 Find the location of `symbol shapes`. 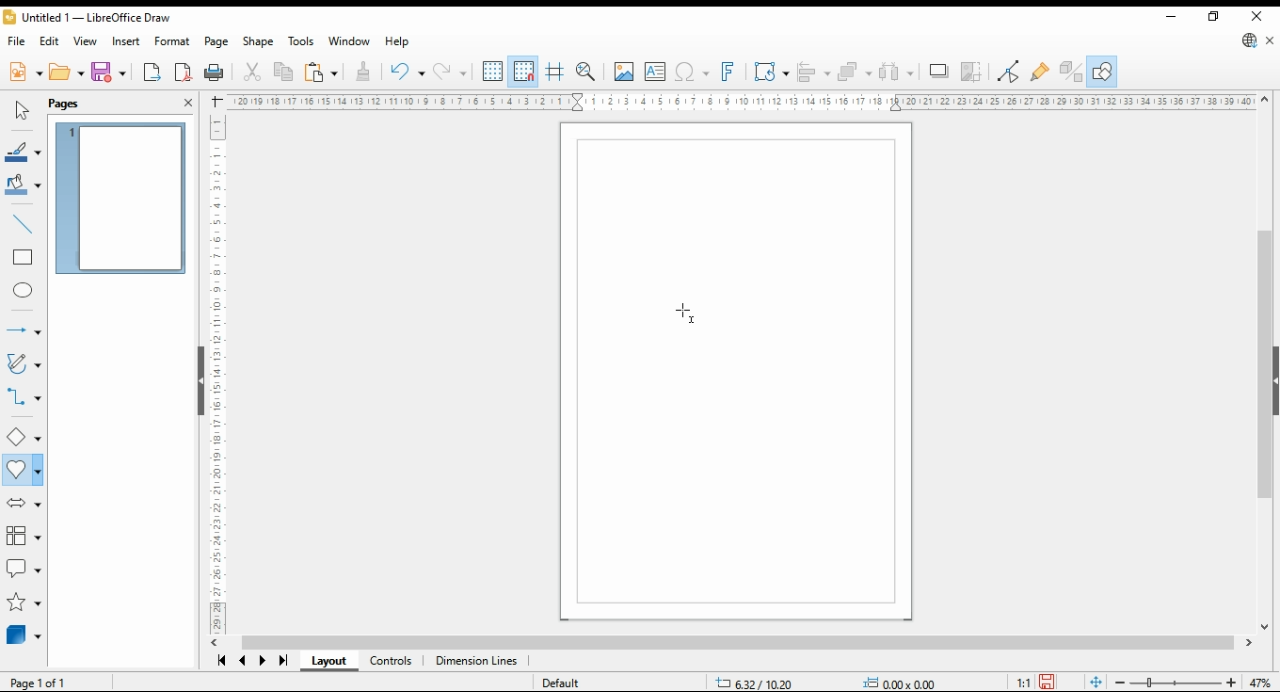

symbol shapes is located at coordinates (22, 471).